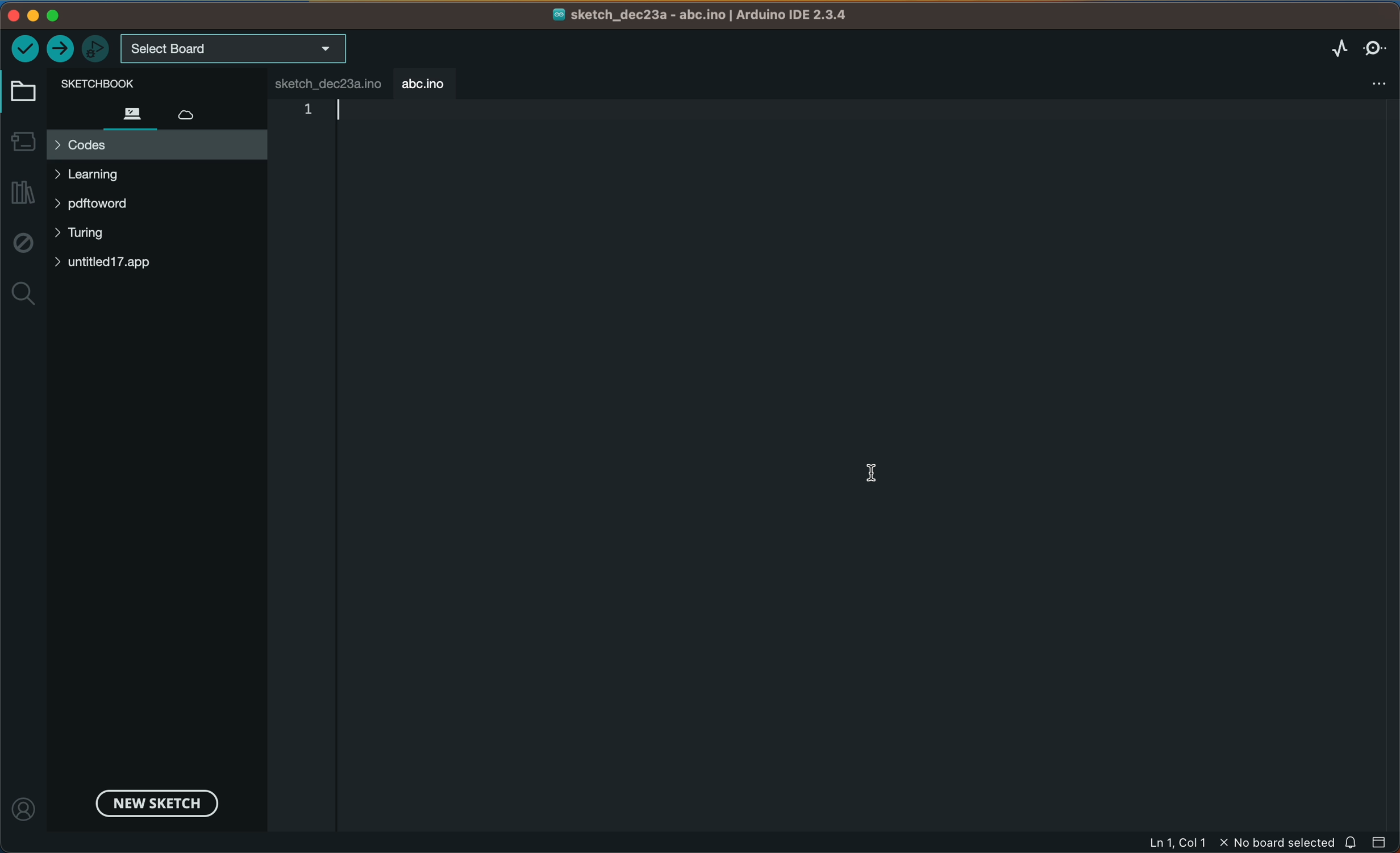 This screenshot has height=853, width=1400. Describe the element at coordinates (153, 802) in the screenshot. I see `new sketch` at that location.